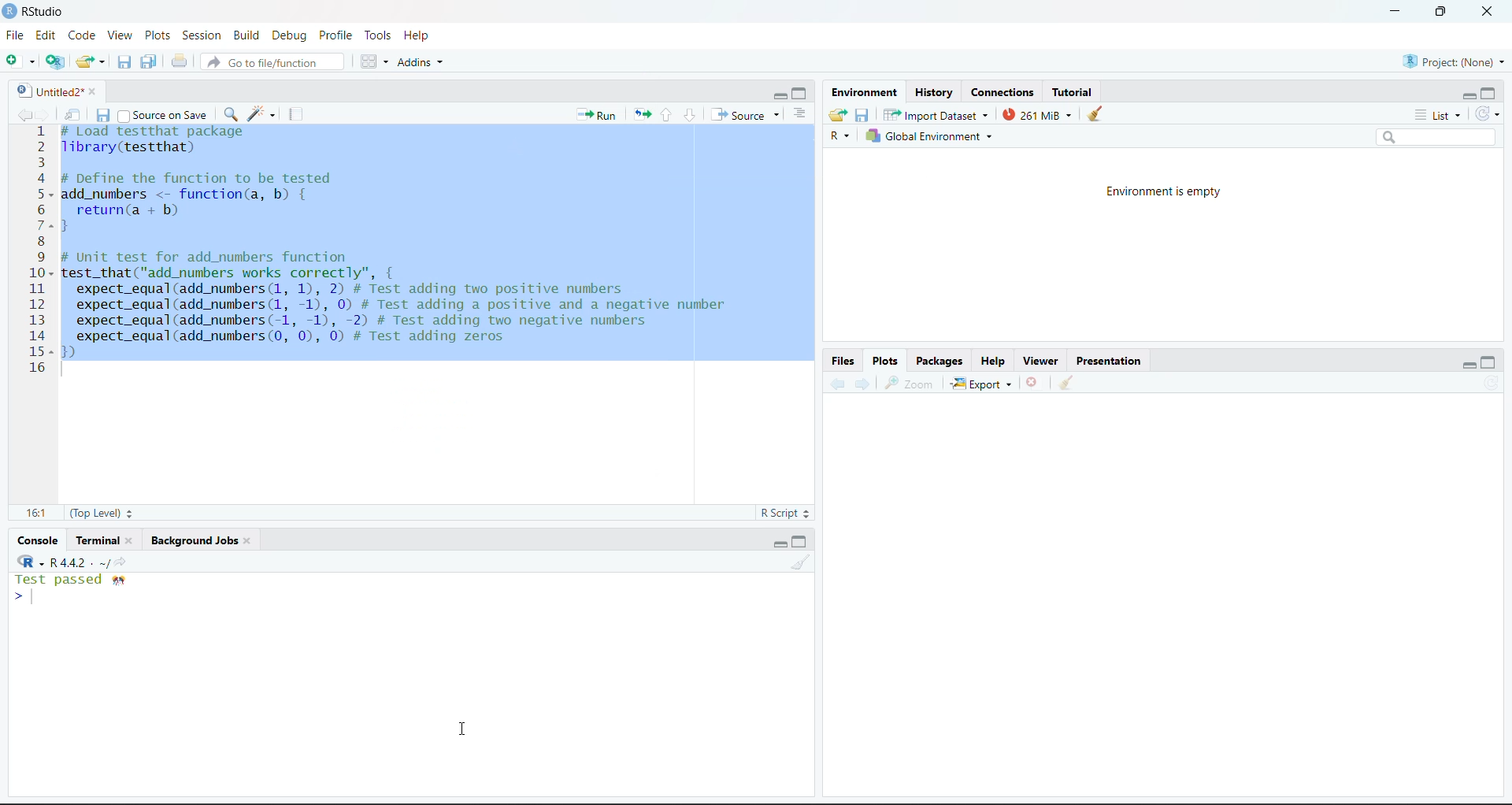 The width and height of the screenshot is (1512, 805). What do you see at coordinates (843, 361) in the screenshot?
I see `Files` at bounding box center [843, 361].